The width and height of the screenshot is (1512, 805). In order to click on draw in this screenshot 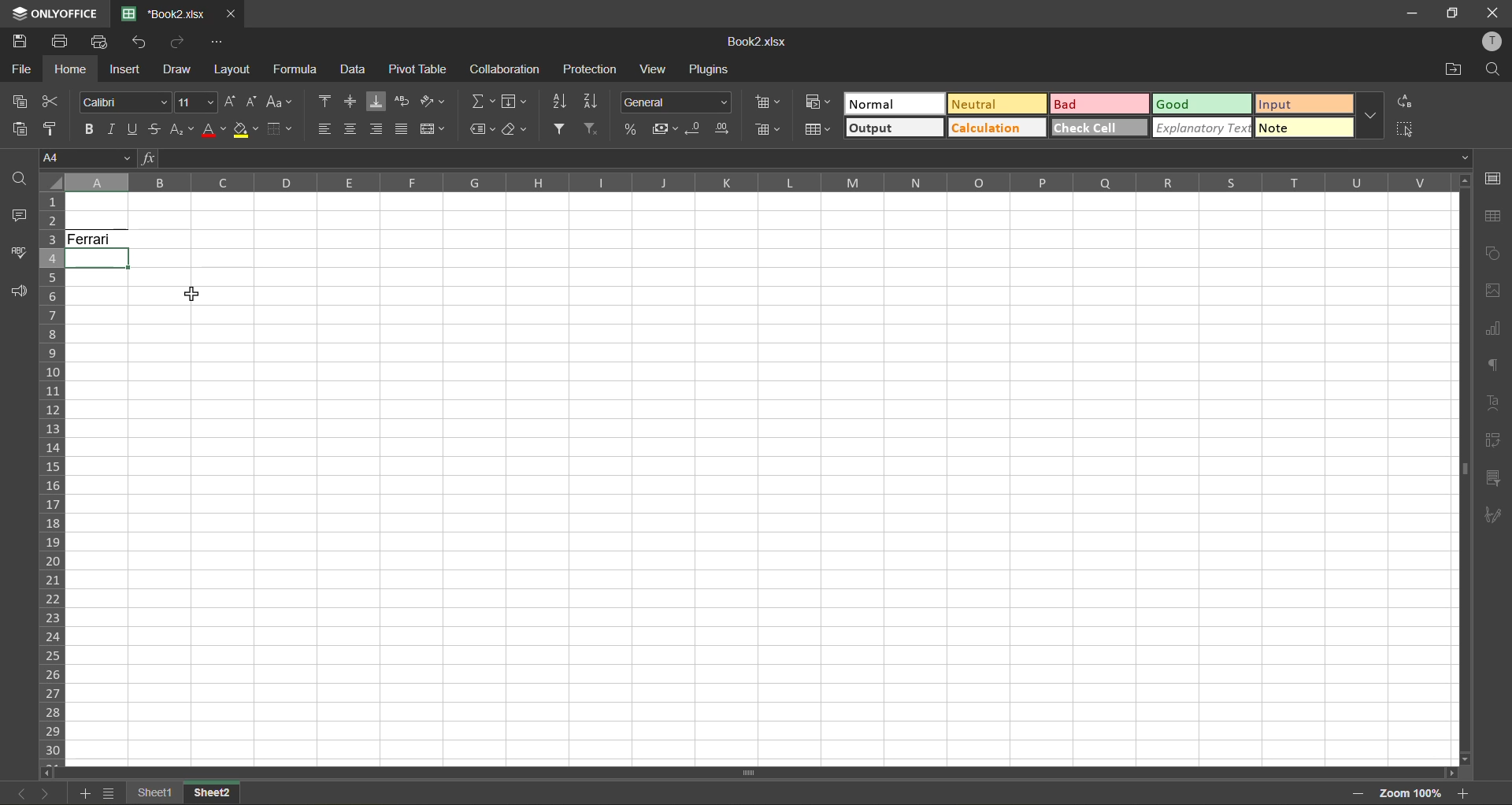, I will do `click(176, 70)`.